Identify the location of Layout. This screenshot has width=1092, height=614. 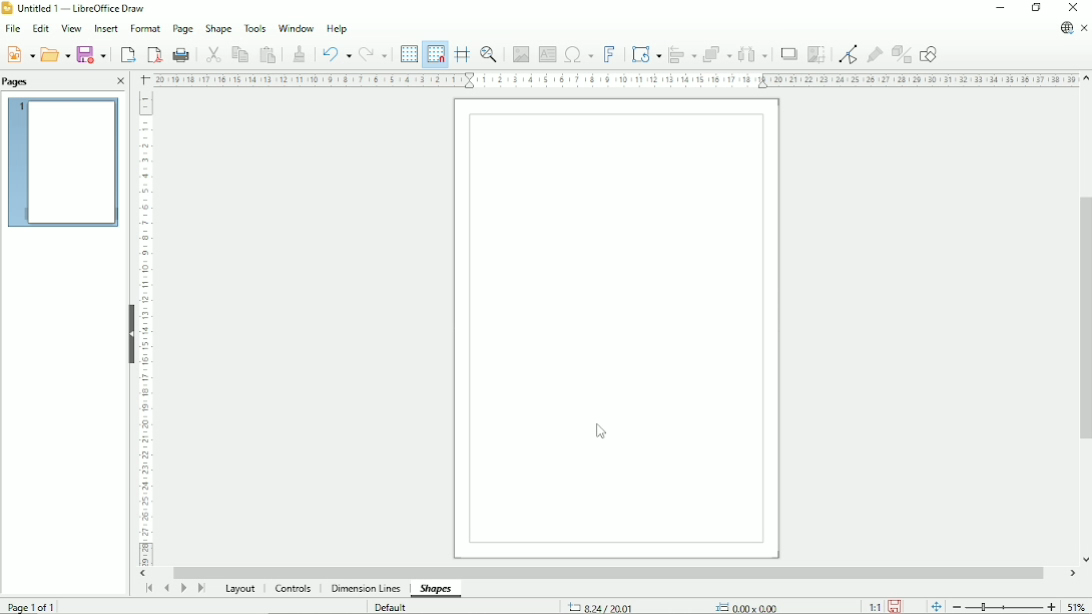
(238, 590).